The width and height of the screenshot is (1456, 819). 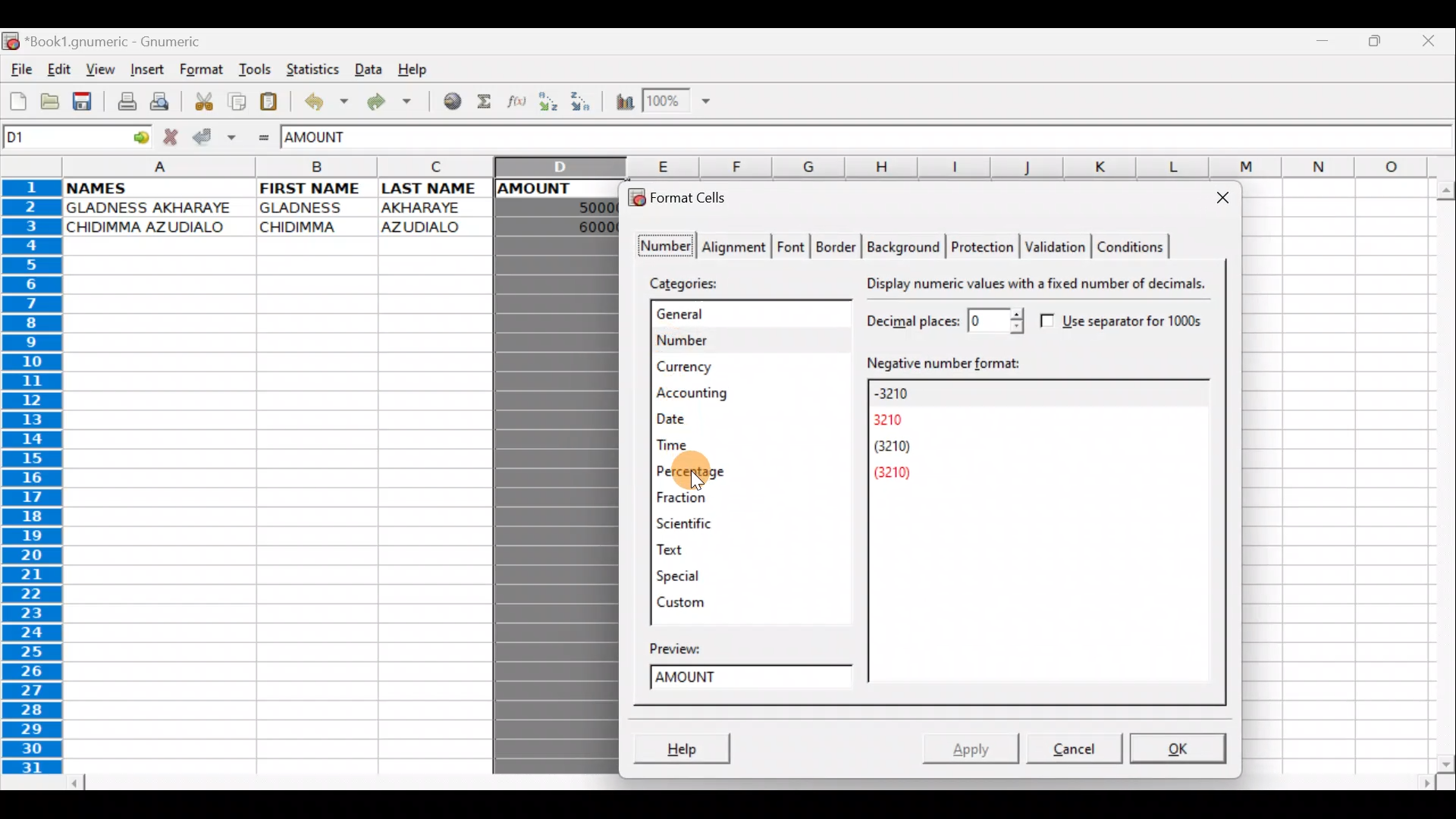 What do you see at coordinates (1327, 44) in the screenshot?
I see `Minimize` at bounding box center [1327, 44].